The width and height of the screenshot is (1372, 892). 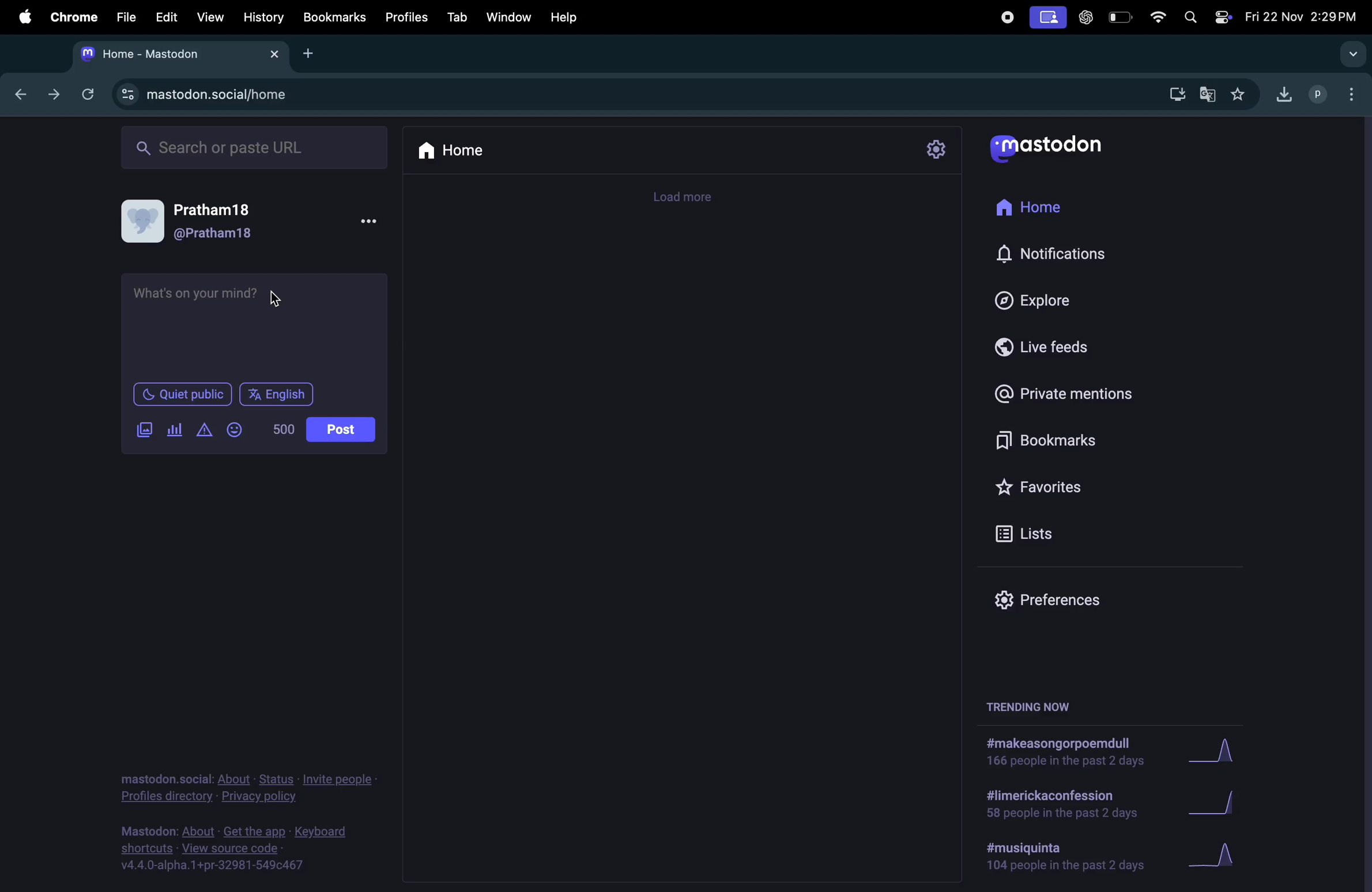 What do you see at coordinates (507, 16) in the screenshot?
I see `window` at bounding box center [507, 16].